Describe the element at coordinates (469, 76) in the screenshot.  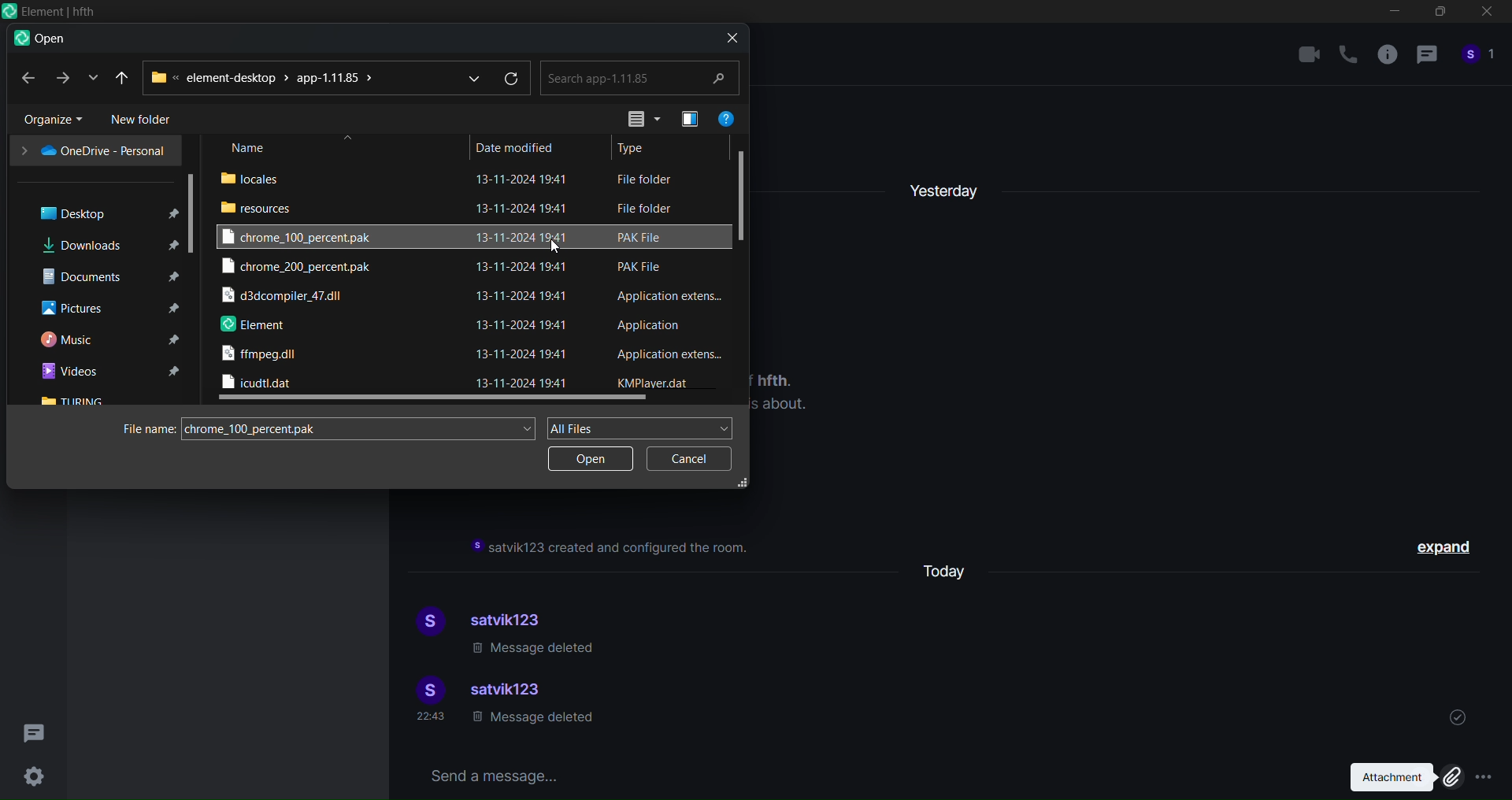
I see `dropdown` at that location.